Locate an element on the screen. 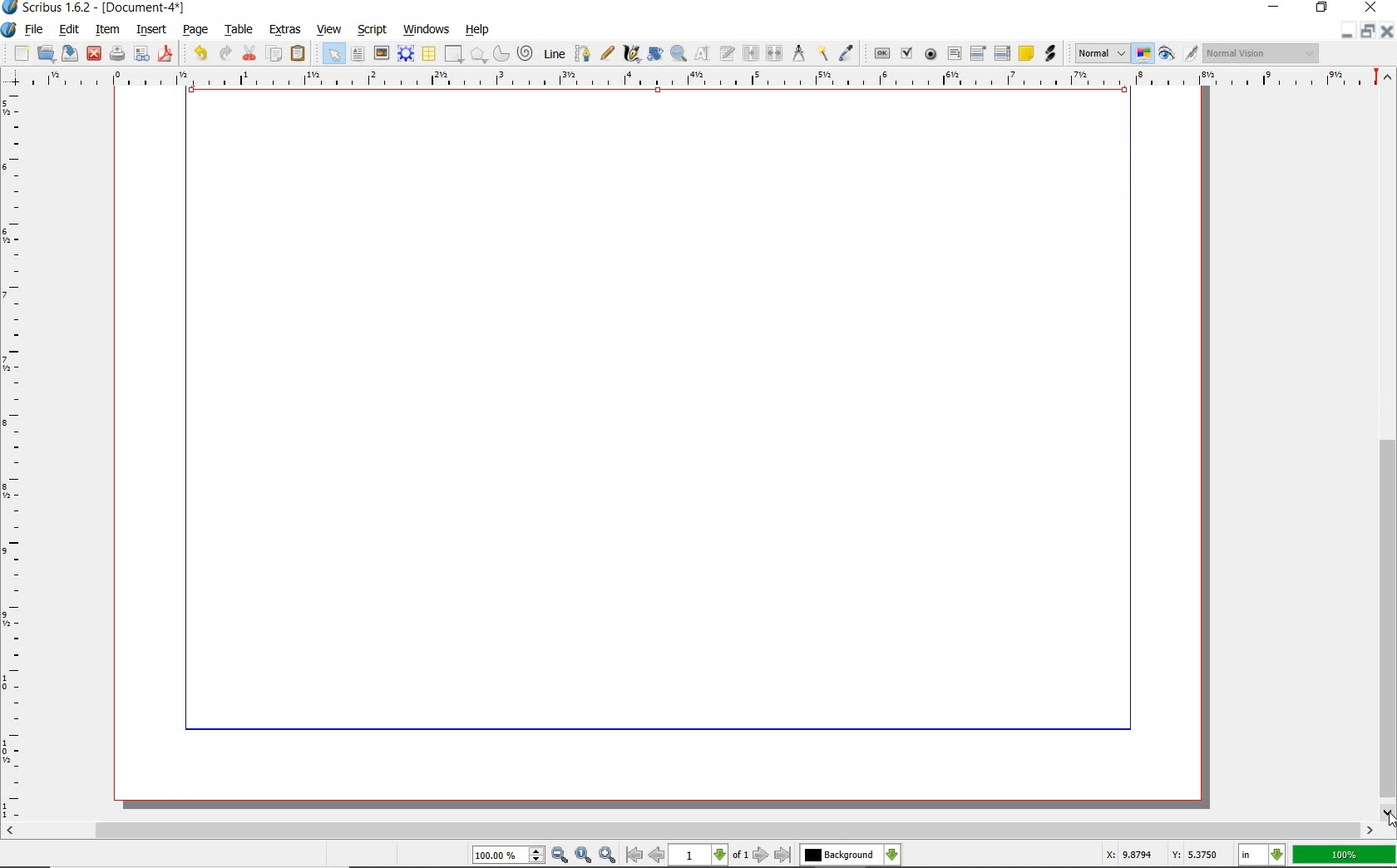 The width and height of the screenshot is (1397, 868). minimize is located at coordinates (1275, 7).